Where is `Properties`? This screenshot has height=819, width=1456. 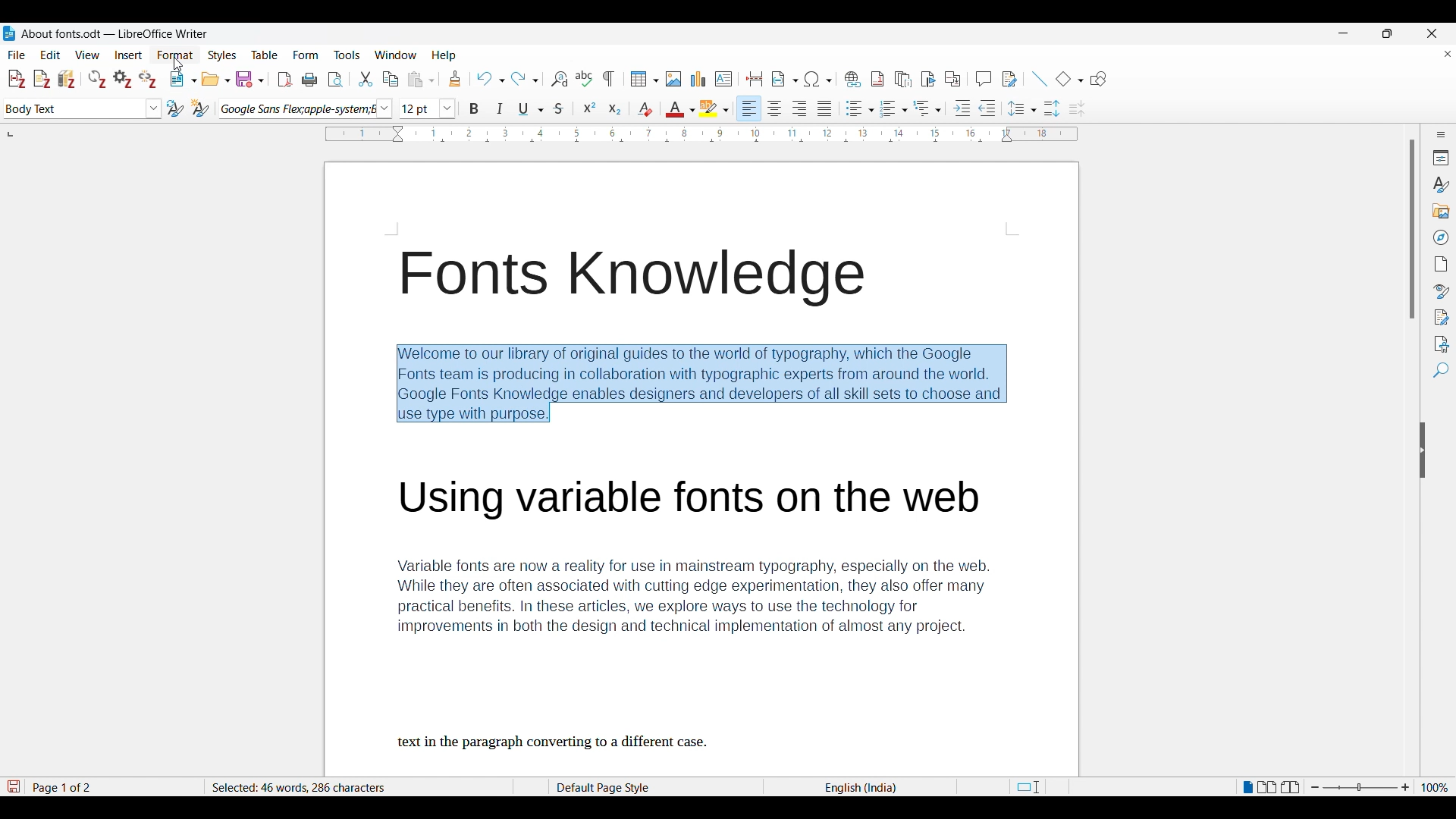
Properties is located at coordinates (1442, 158).